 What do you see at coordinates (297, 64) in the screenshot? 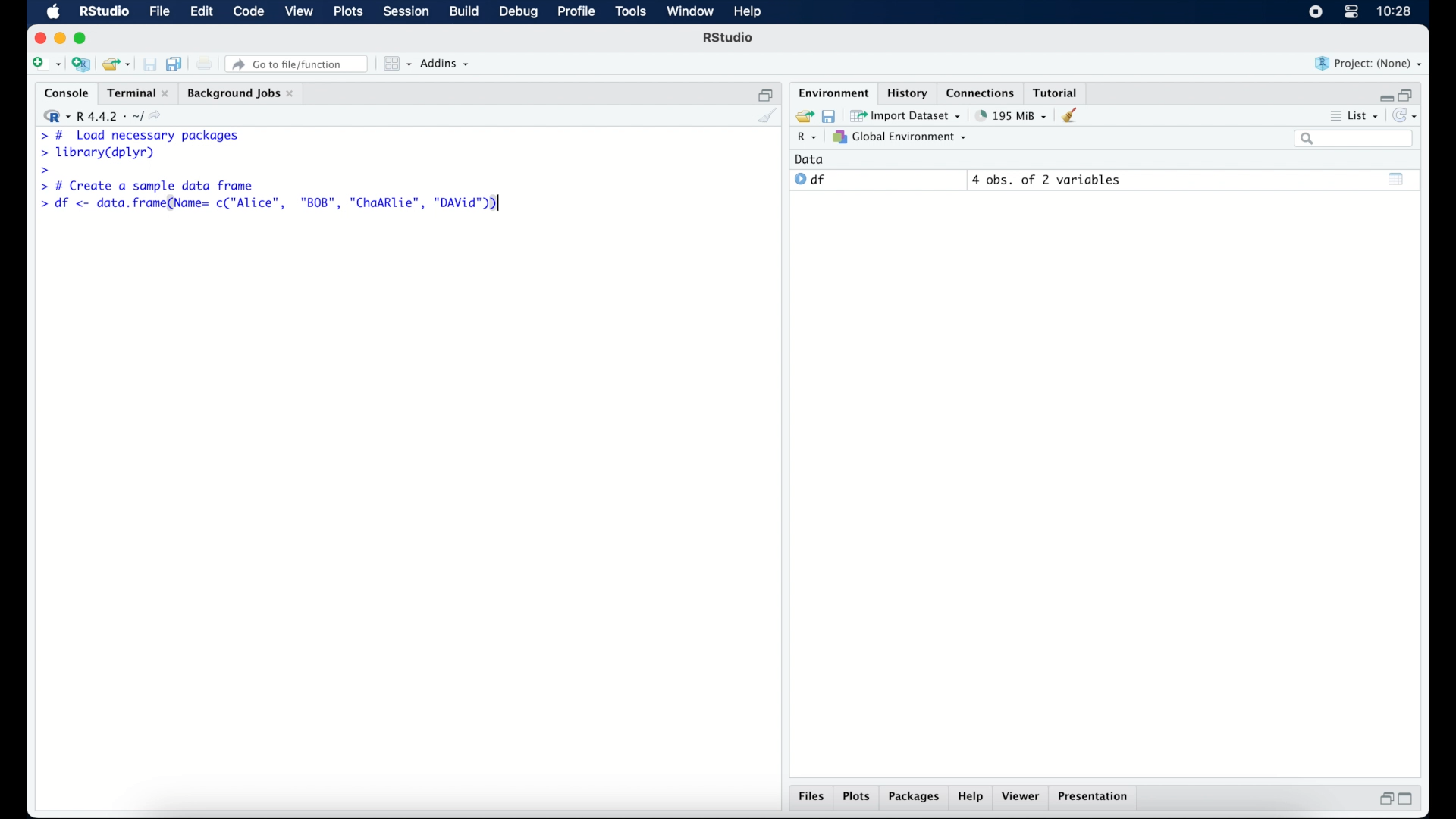
I see `go to file/function` at bounding box center [297, 64].